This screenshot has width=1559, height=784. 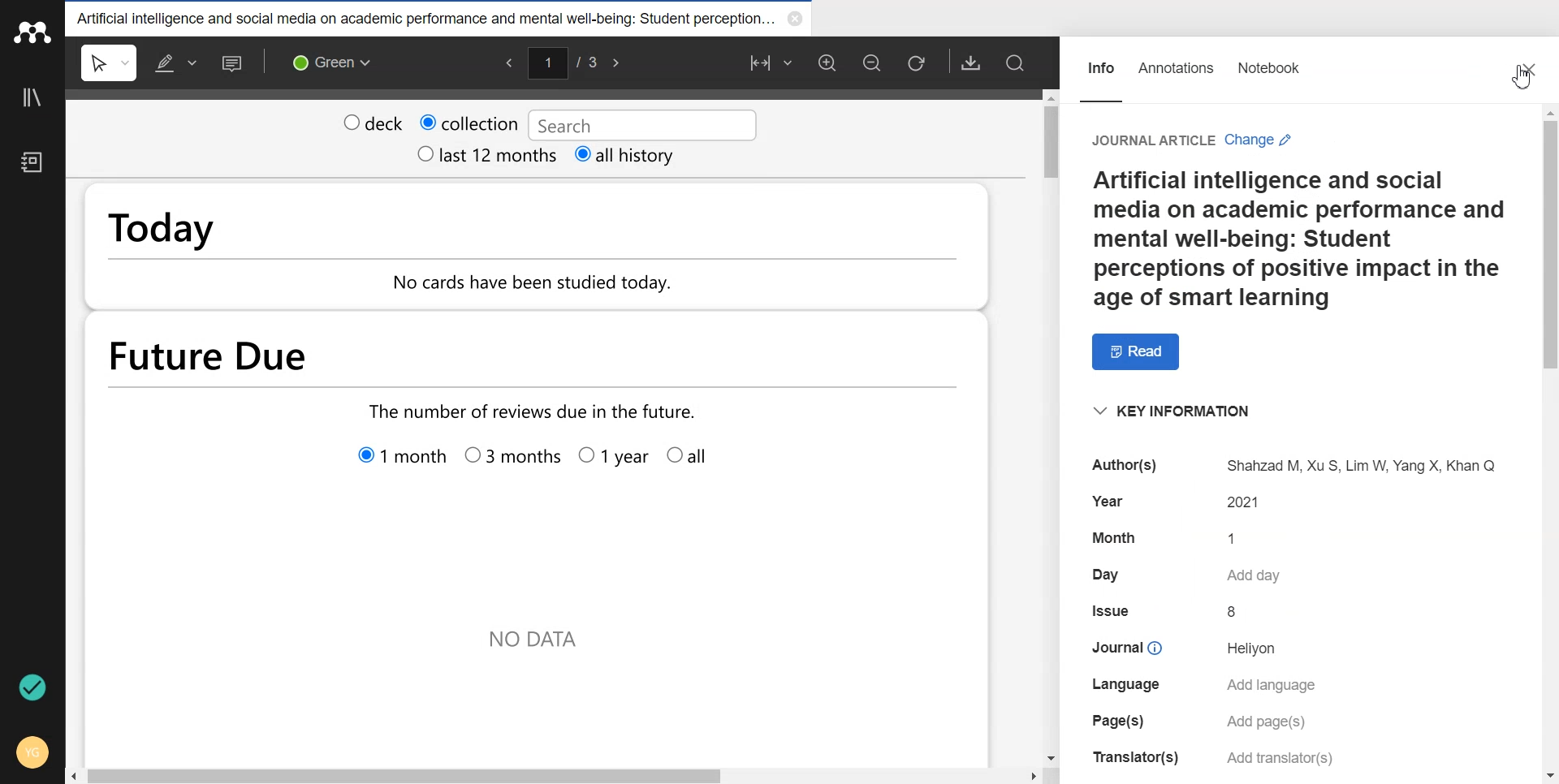 I want to click on Logo, so click(x=32, y=32).